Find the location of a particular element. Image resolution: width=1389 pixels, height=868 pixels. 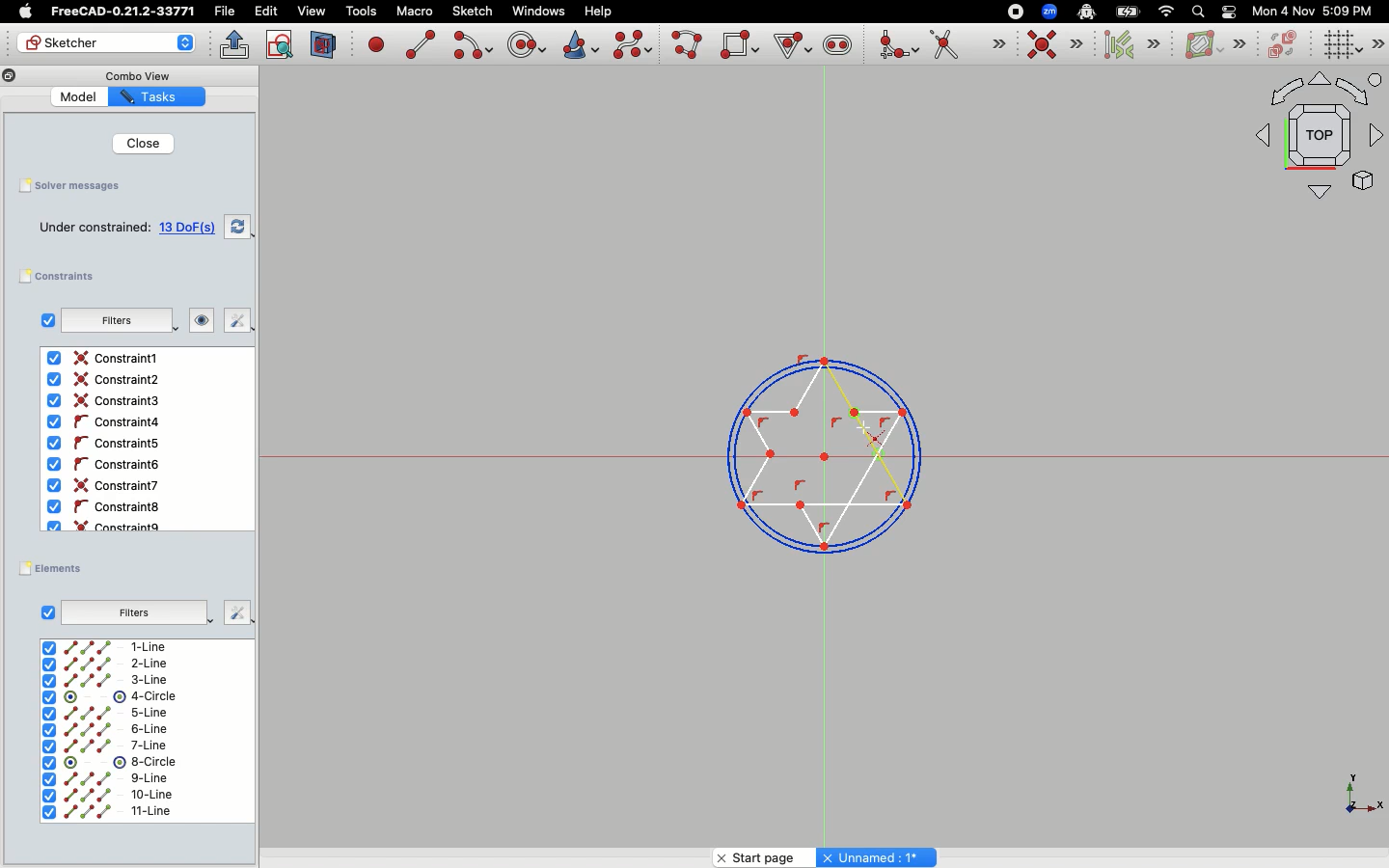

Toggle is located at coordinates (1229, 12).